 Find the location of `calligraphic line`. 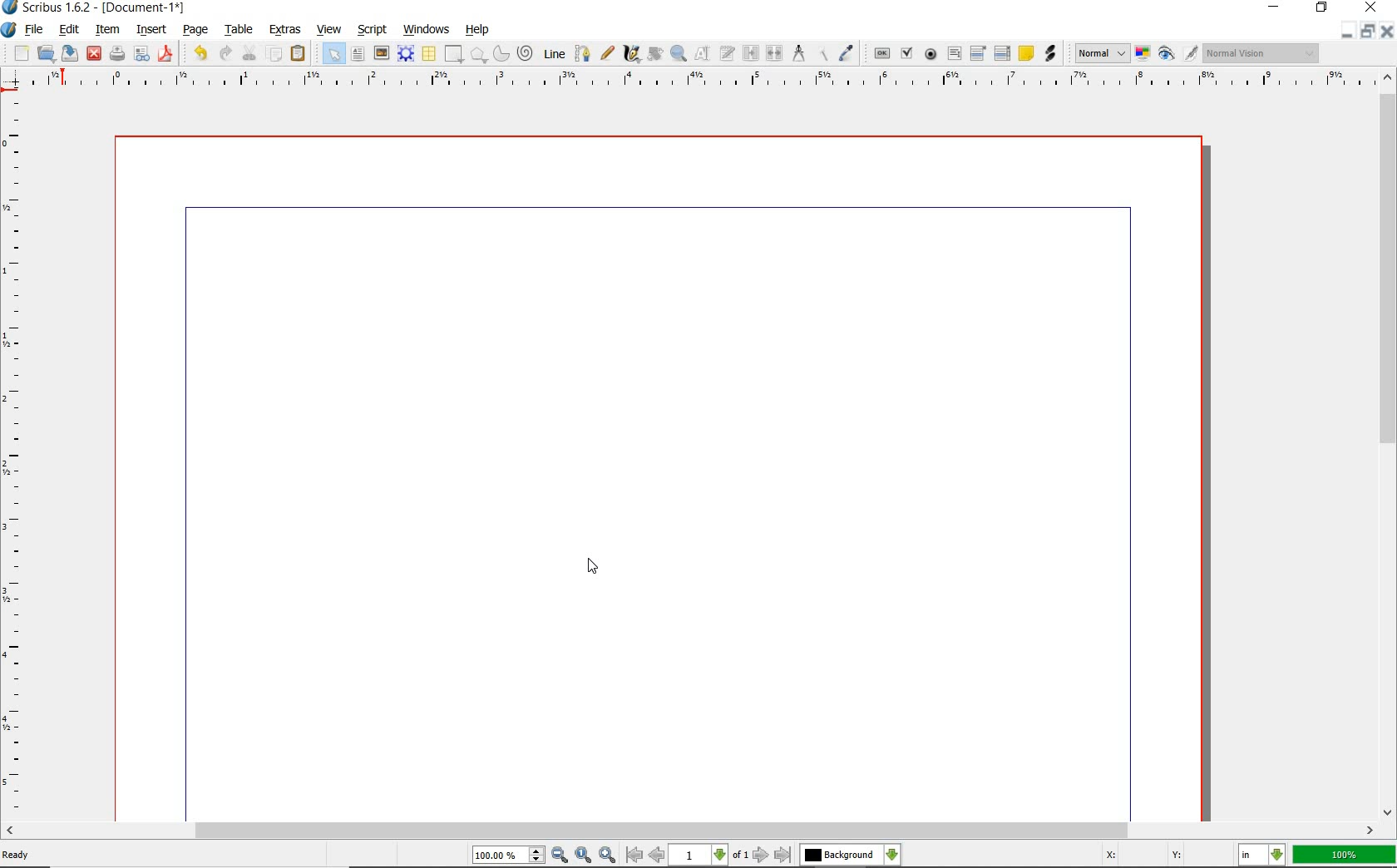

calligraphic line is located at coordinates (633, 56).